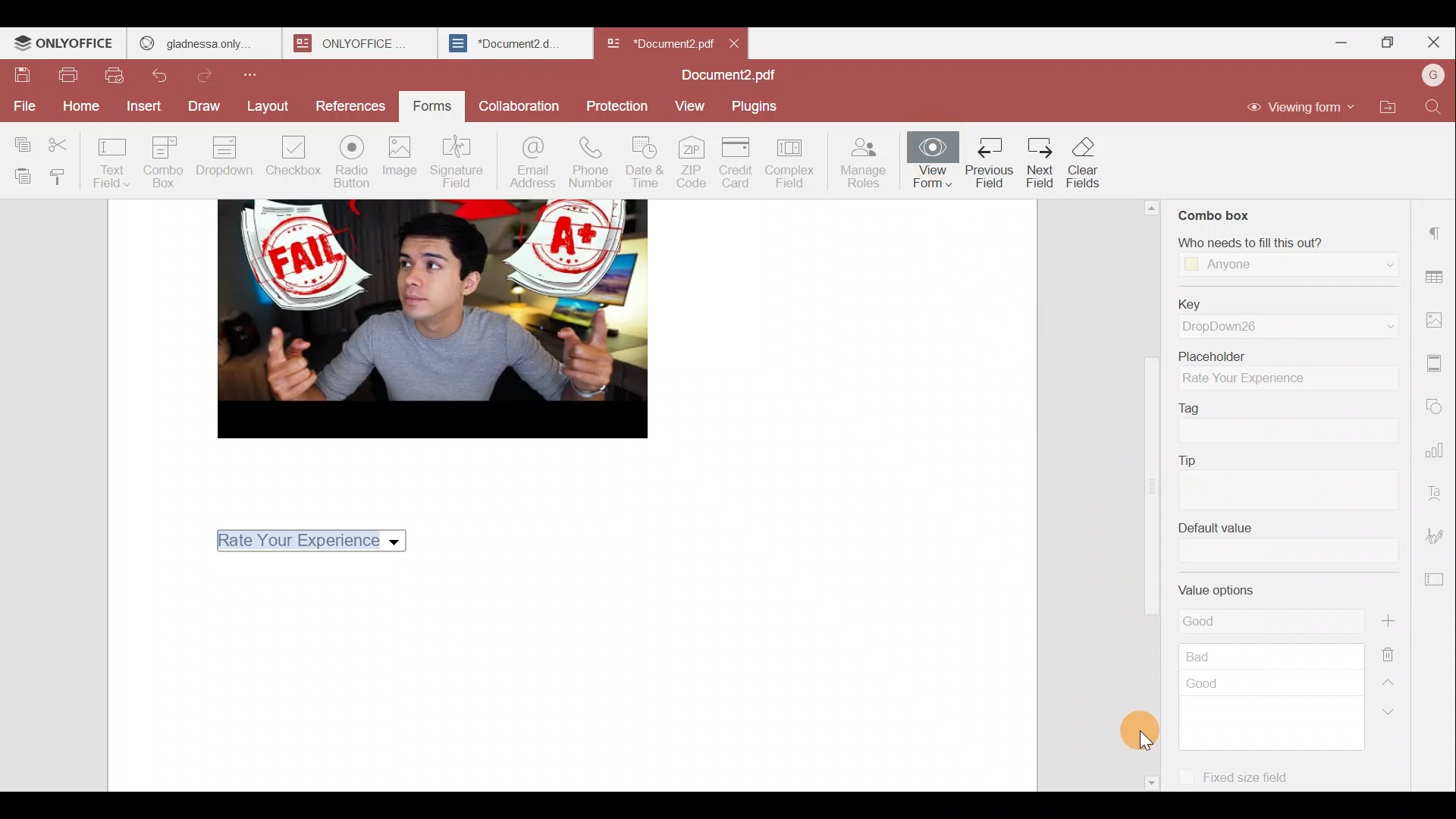 Image resolution: width=1456 pixels, height=819 pixels. Describe the element at coordinates (932, 160) in the screenshot. I see `View form` at that location.